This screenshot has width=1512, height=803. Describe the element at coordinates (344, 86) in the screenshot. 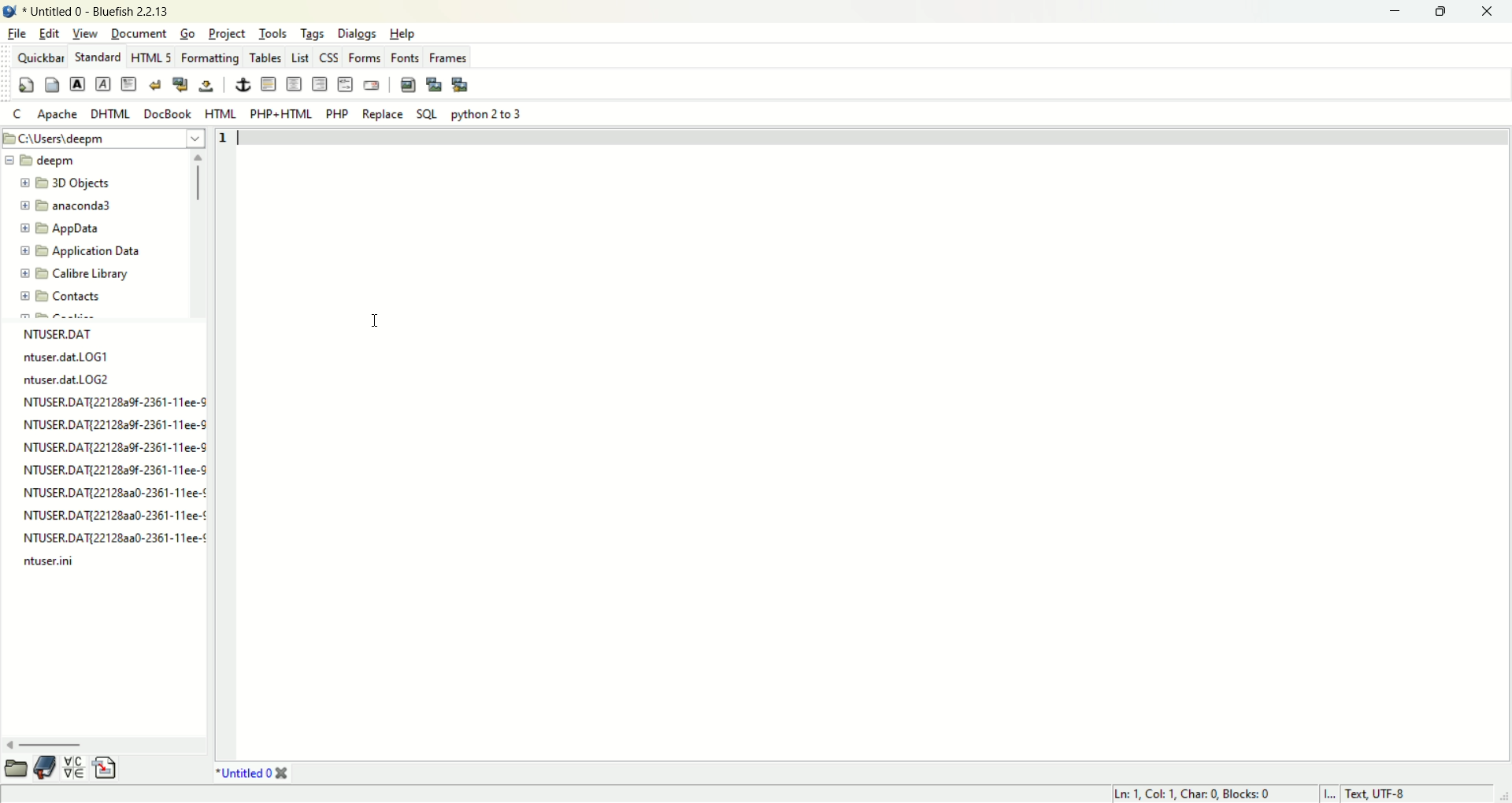

I see `HTML comment` at that location.